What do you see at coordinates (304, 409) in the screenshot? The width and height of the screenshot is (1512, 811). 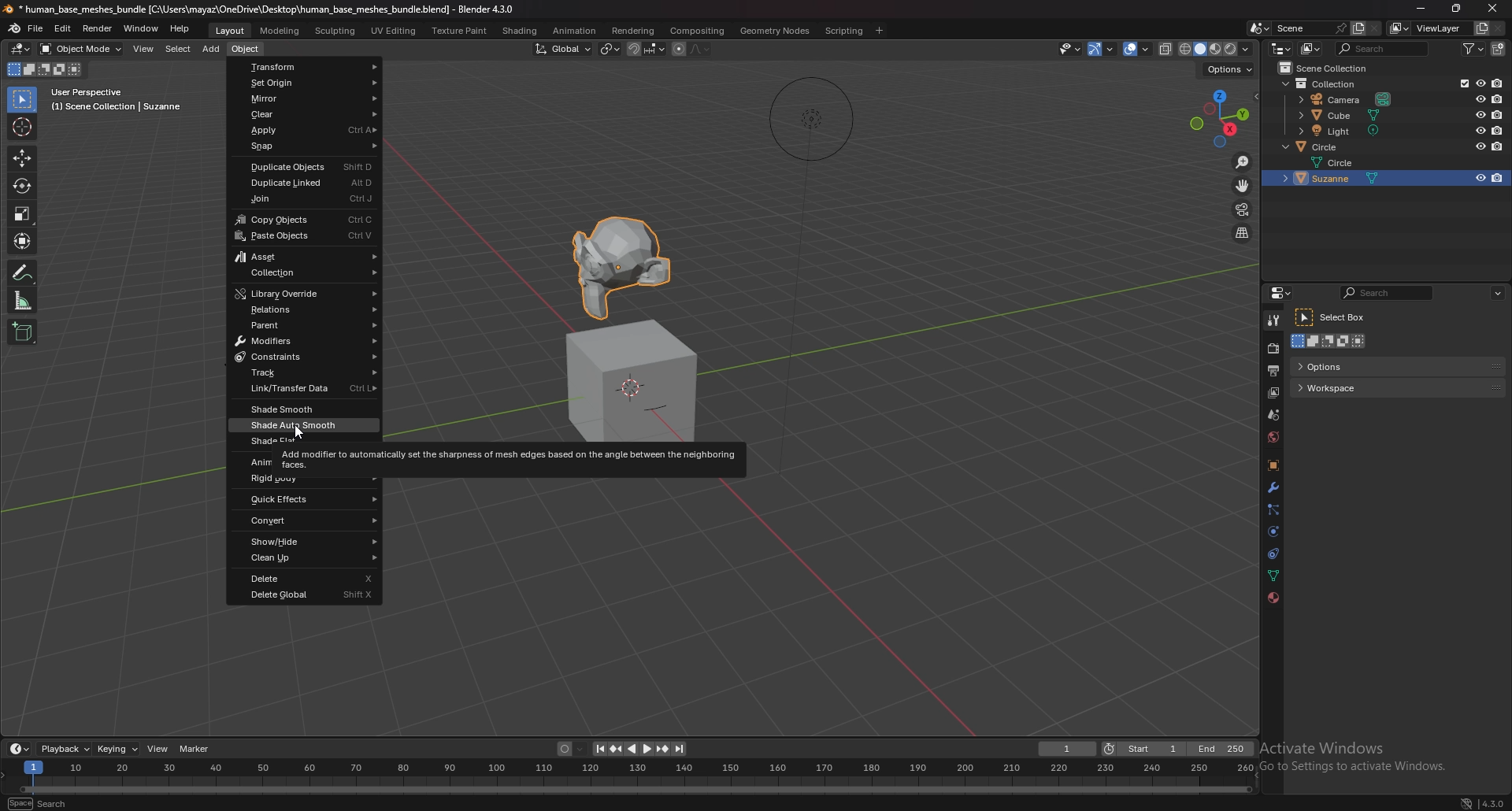 I see `shade smooth` at bounding box center [304, 409].